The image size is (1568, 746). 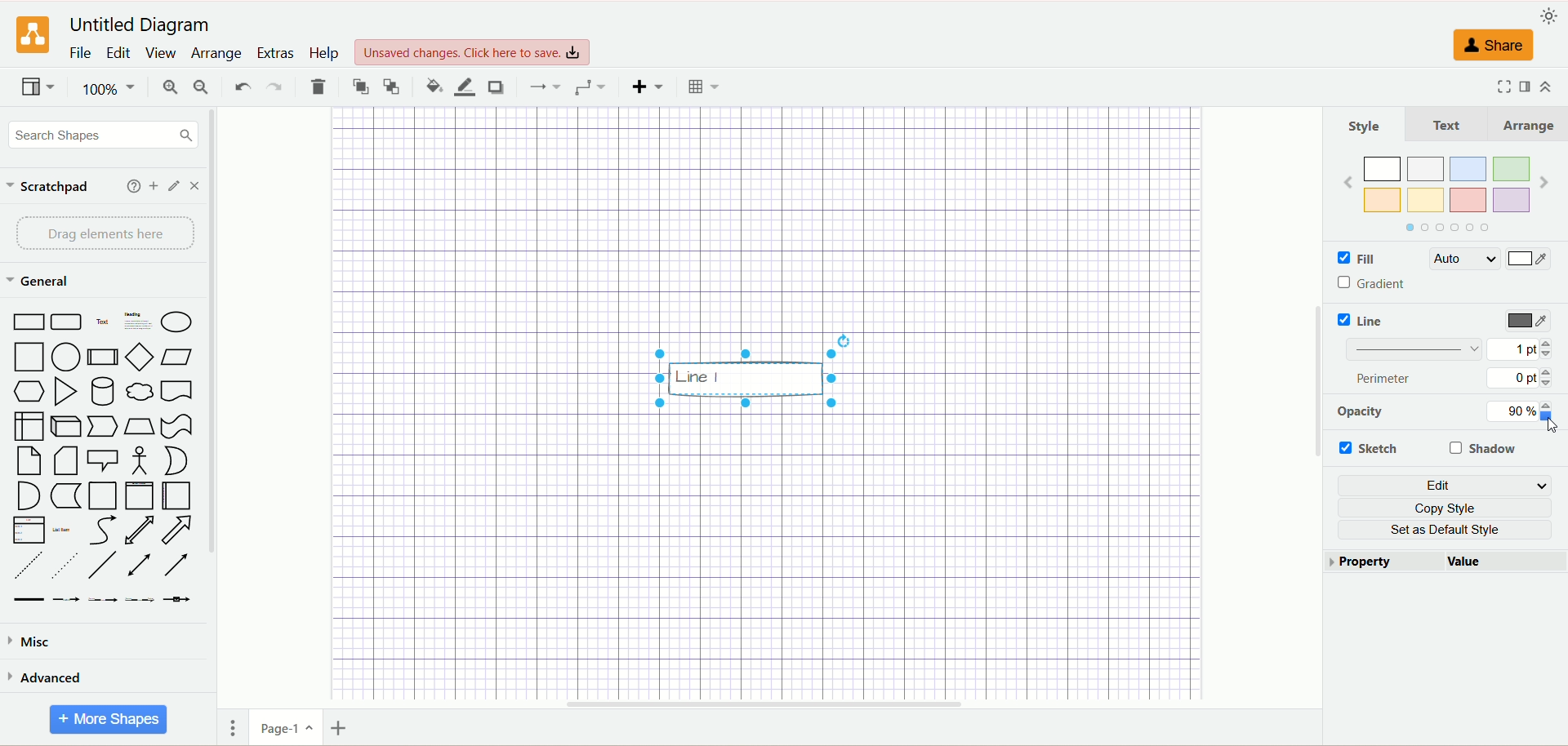 I want to click on , so click(x=746, y=372).